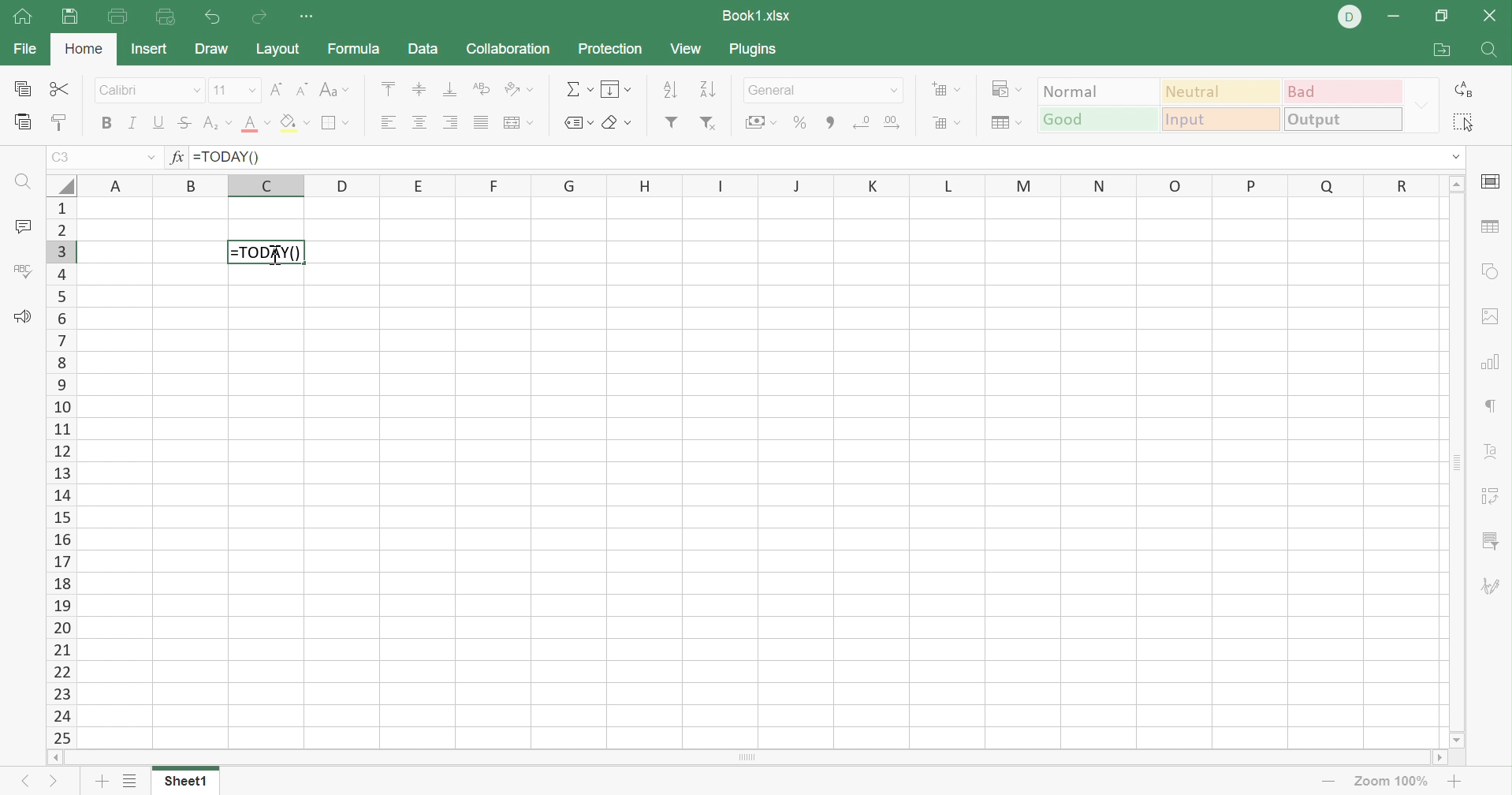 This screenshot has width=1512, height=795. What do you see at coordinates (59, 472) in the screenshot?
I see `Row numbers` at bounding box center [59, 472].